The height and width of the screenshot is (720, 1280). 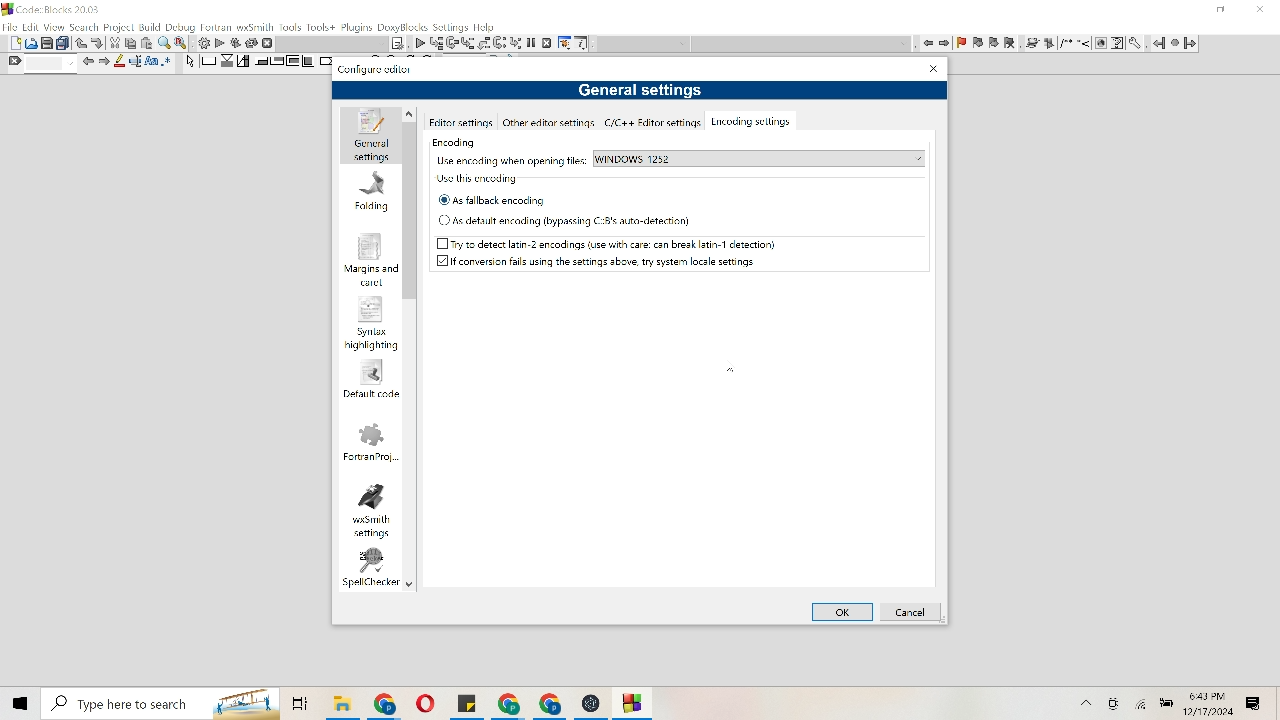 What do you see at coordinates (182, 43) in the screenshot?
I see `Replace` at bounding box center [182, 43].